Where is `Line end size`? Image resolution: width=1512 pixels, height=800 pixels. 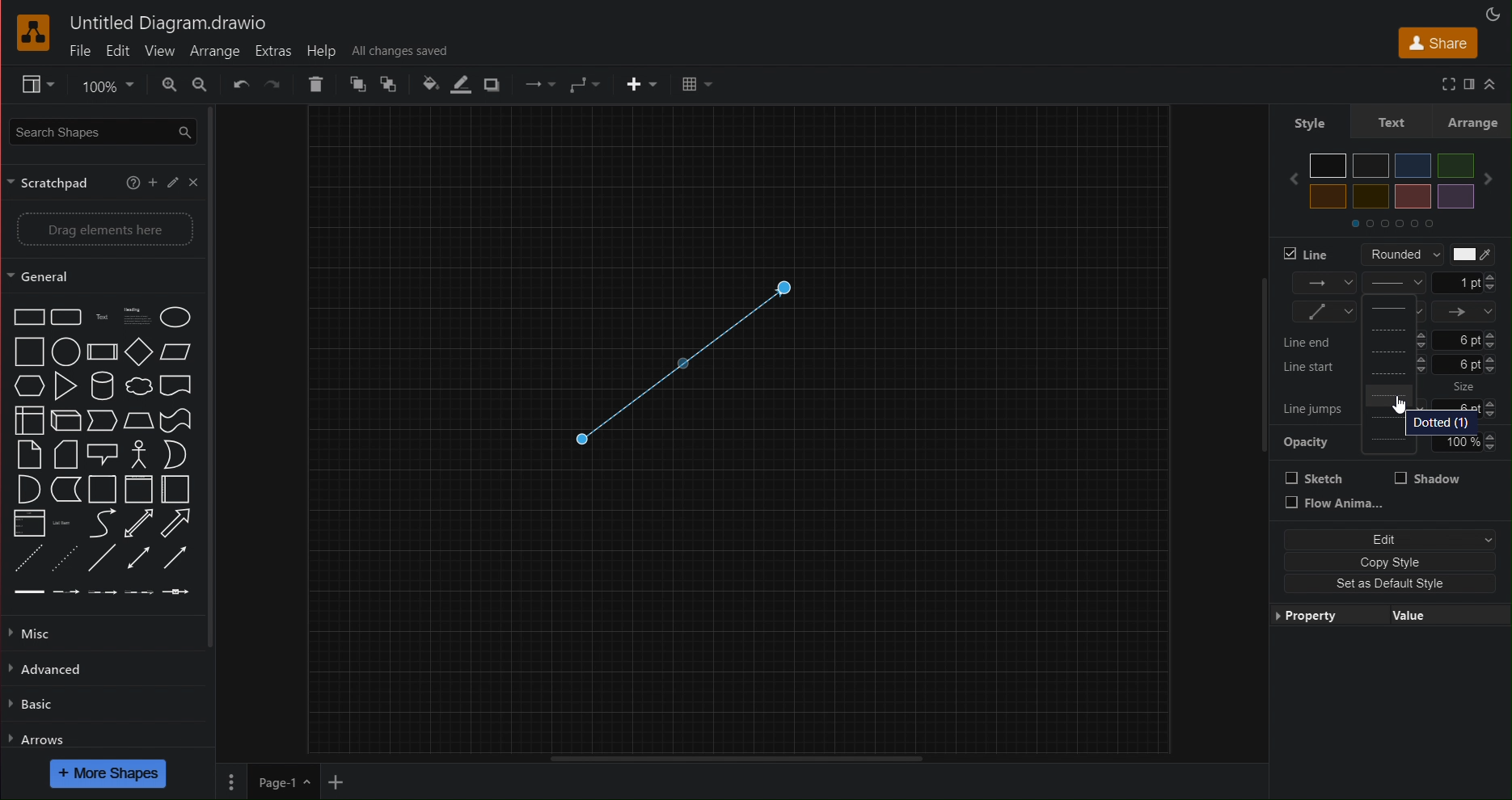
Line end size is located at coordinates (1394, 339).